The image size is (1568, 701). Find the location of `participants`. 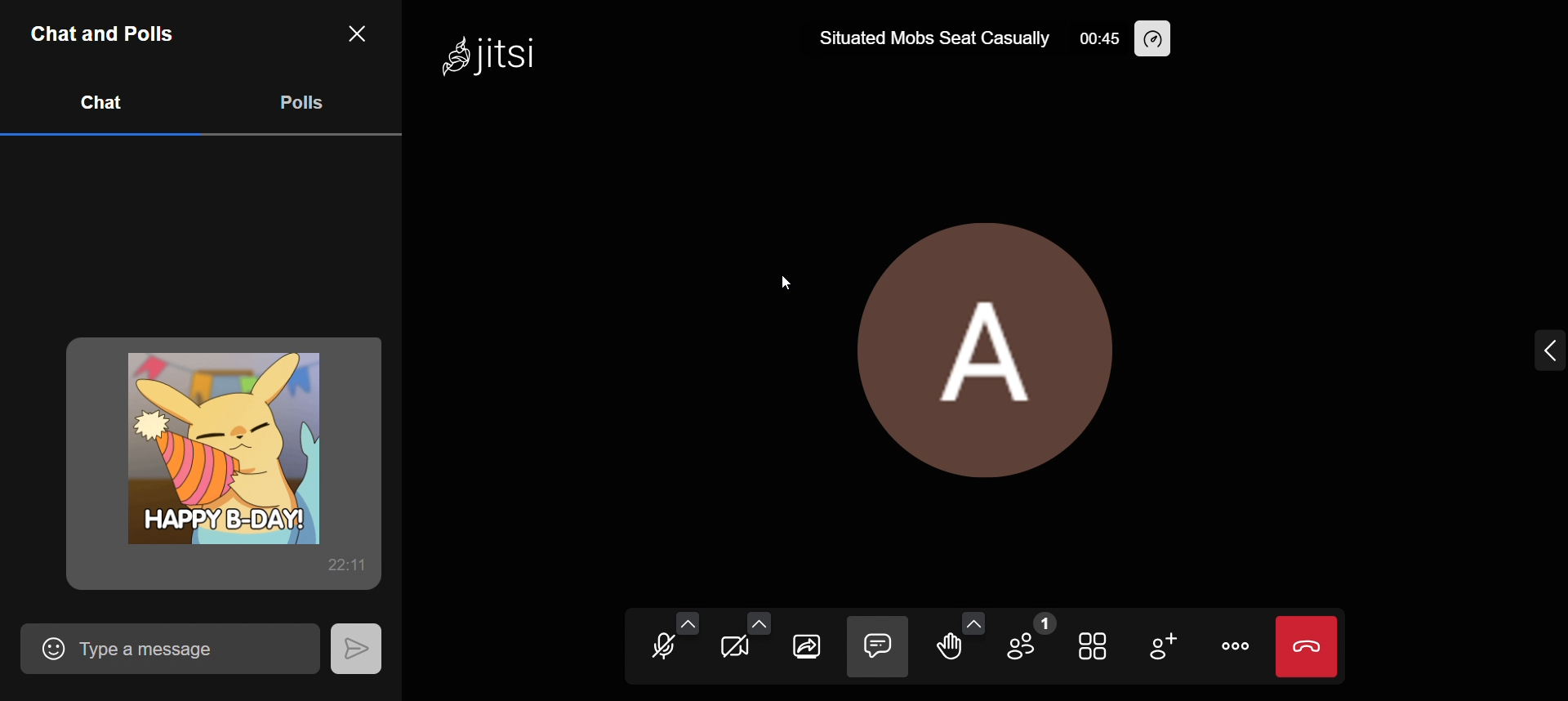

participants is located at coordinates (1026, 633).